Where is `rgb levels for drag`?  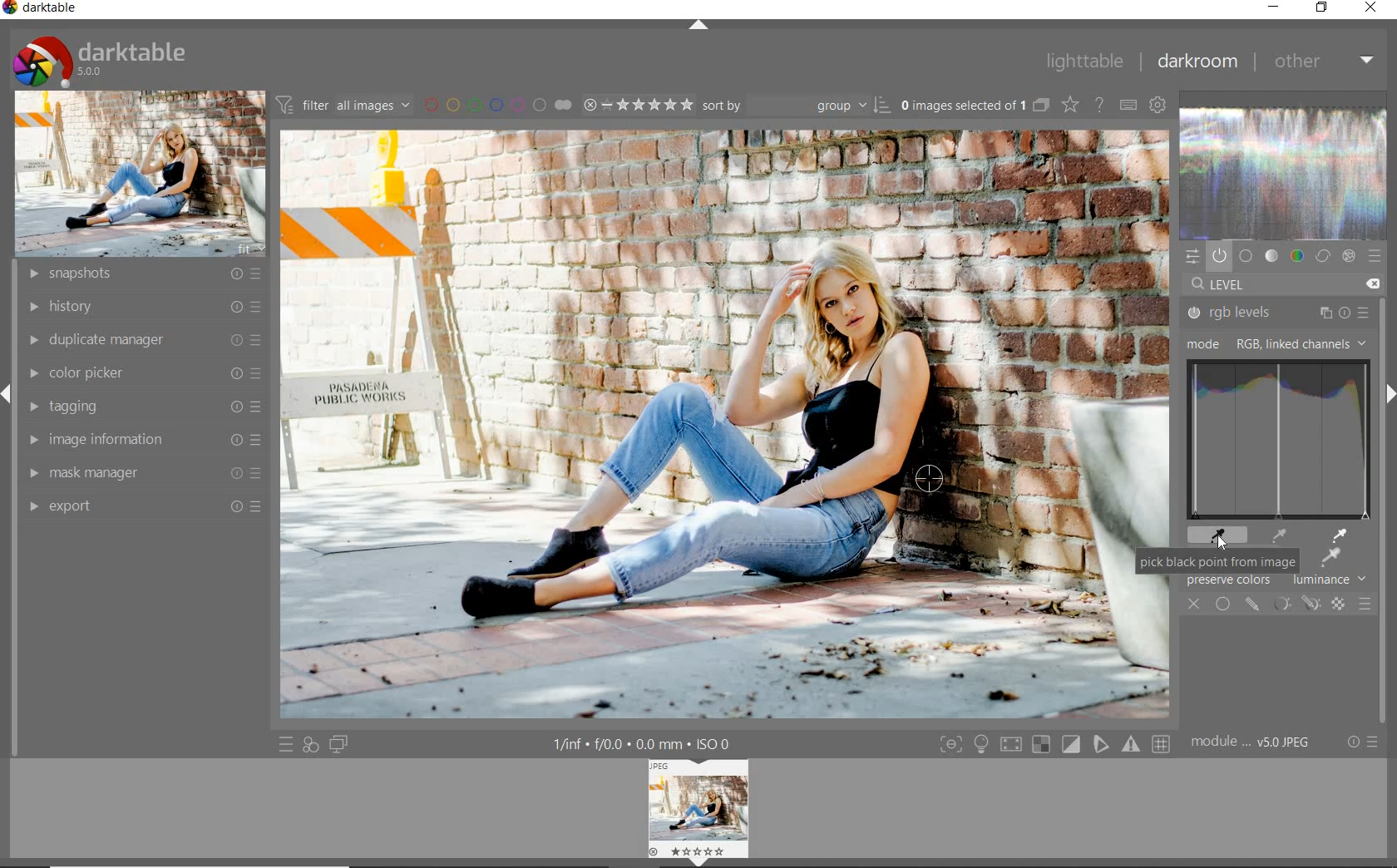 rgb levels for drag is located at coordinates (1278, 440).